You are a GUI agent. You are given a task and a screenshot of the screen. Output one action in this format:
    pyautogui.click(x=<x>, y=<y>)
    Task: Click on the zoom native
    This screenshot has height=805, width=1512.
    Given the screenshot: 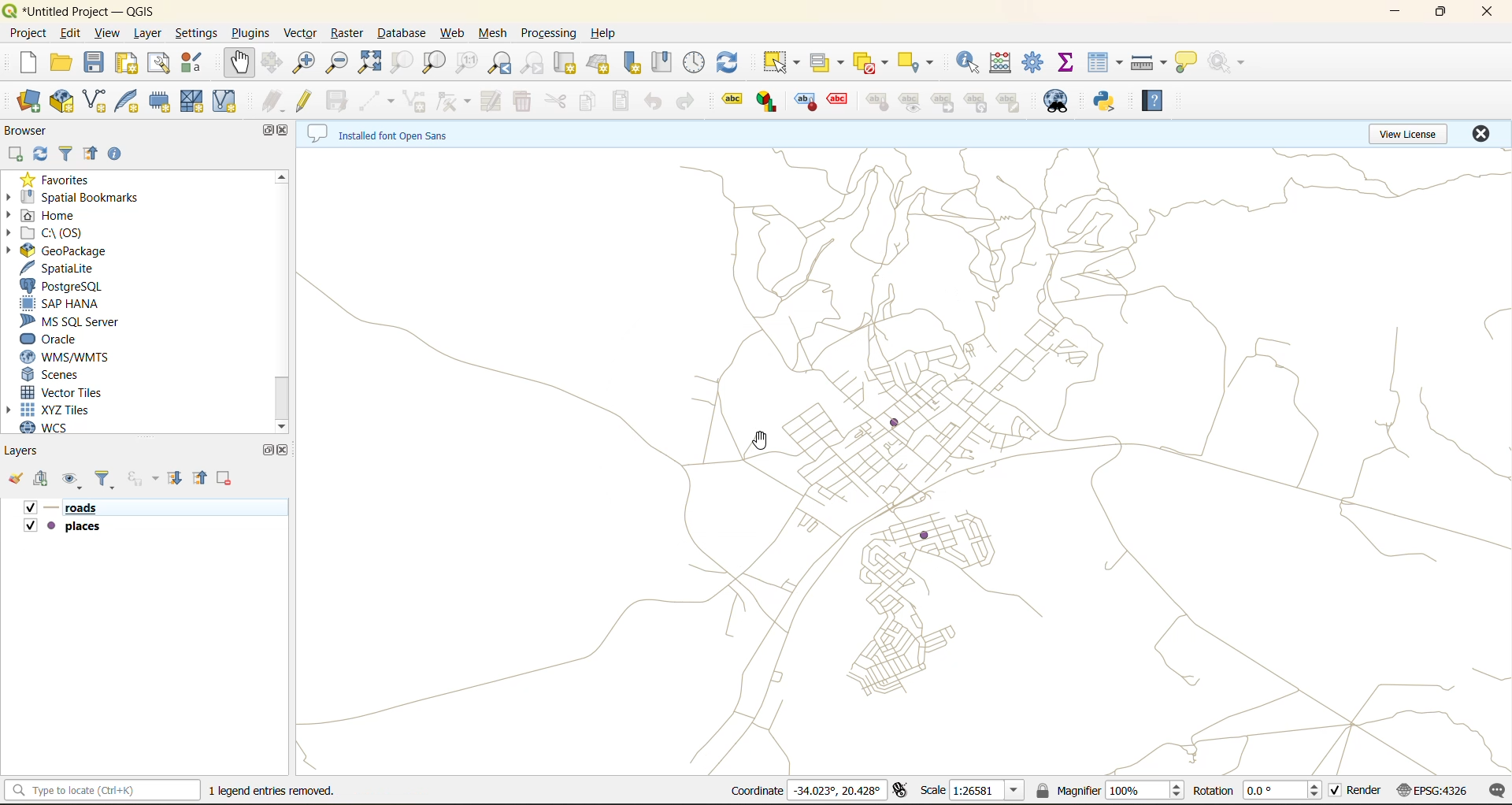 What is the action you would take?
    pyautogui.click(x=468, y=62)
    